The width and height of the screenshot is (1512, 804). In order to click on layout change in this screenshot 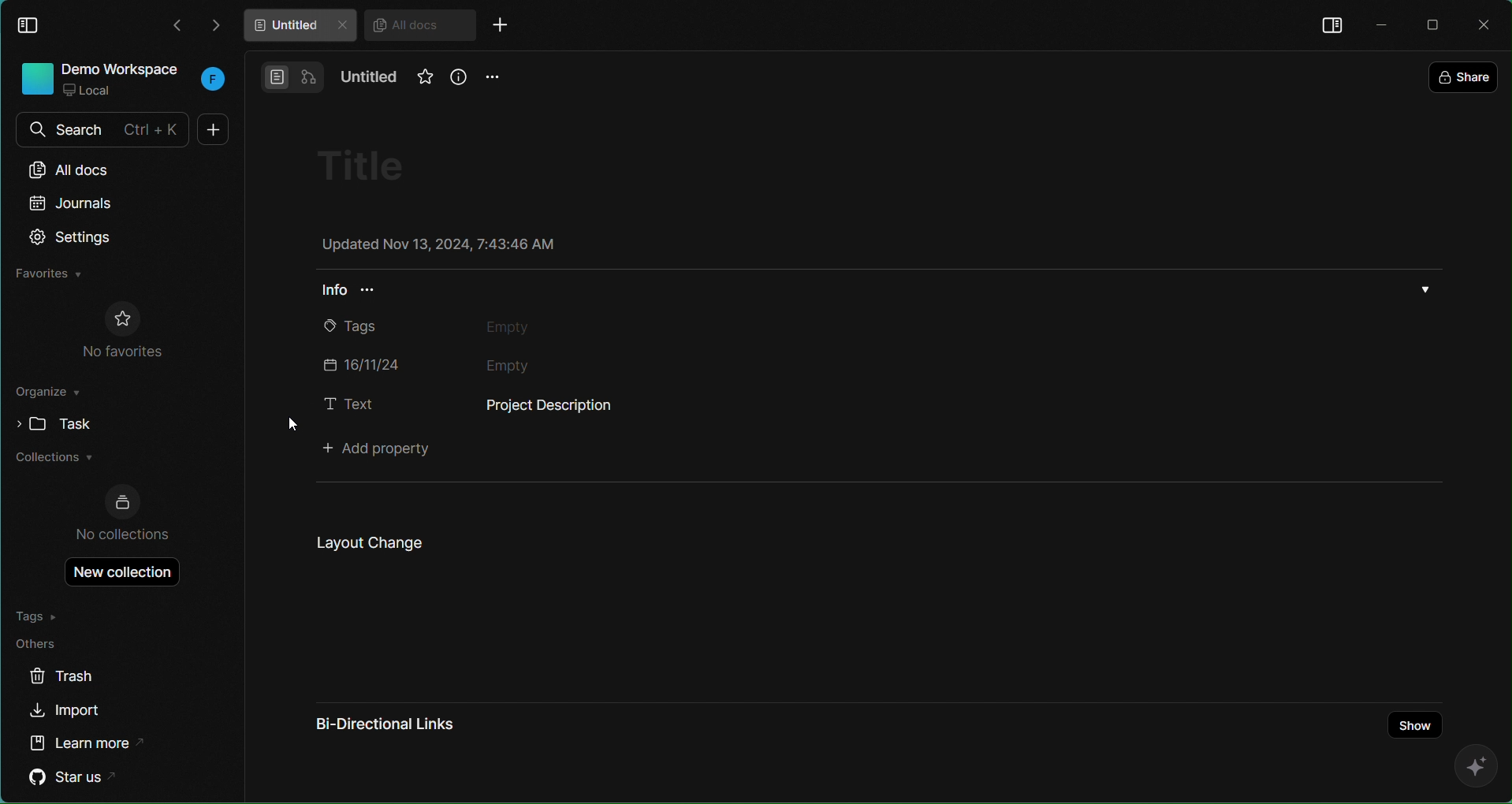, I will do `click(366, 542)`.